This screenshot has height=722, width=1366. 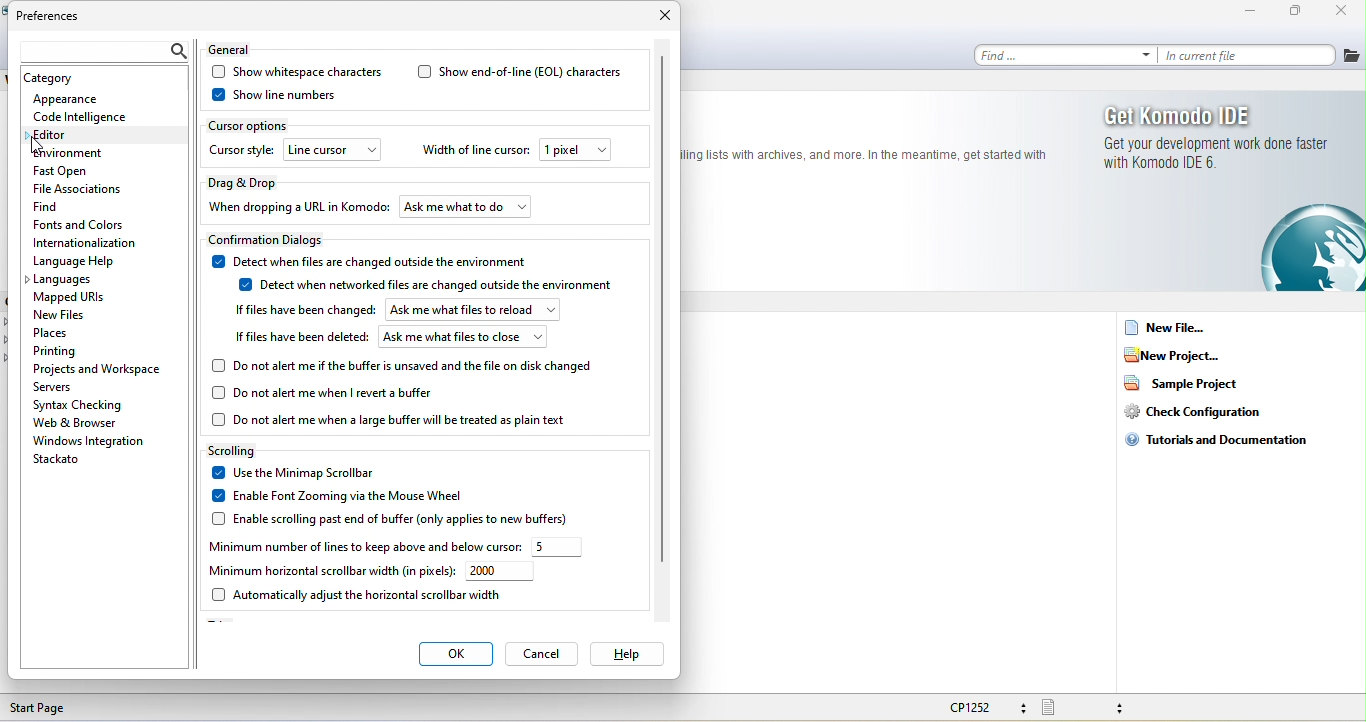 I want to click on 5, so click(x=559, y=547).